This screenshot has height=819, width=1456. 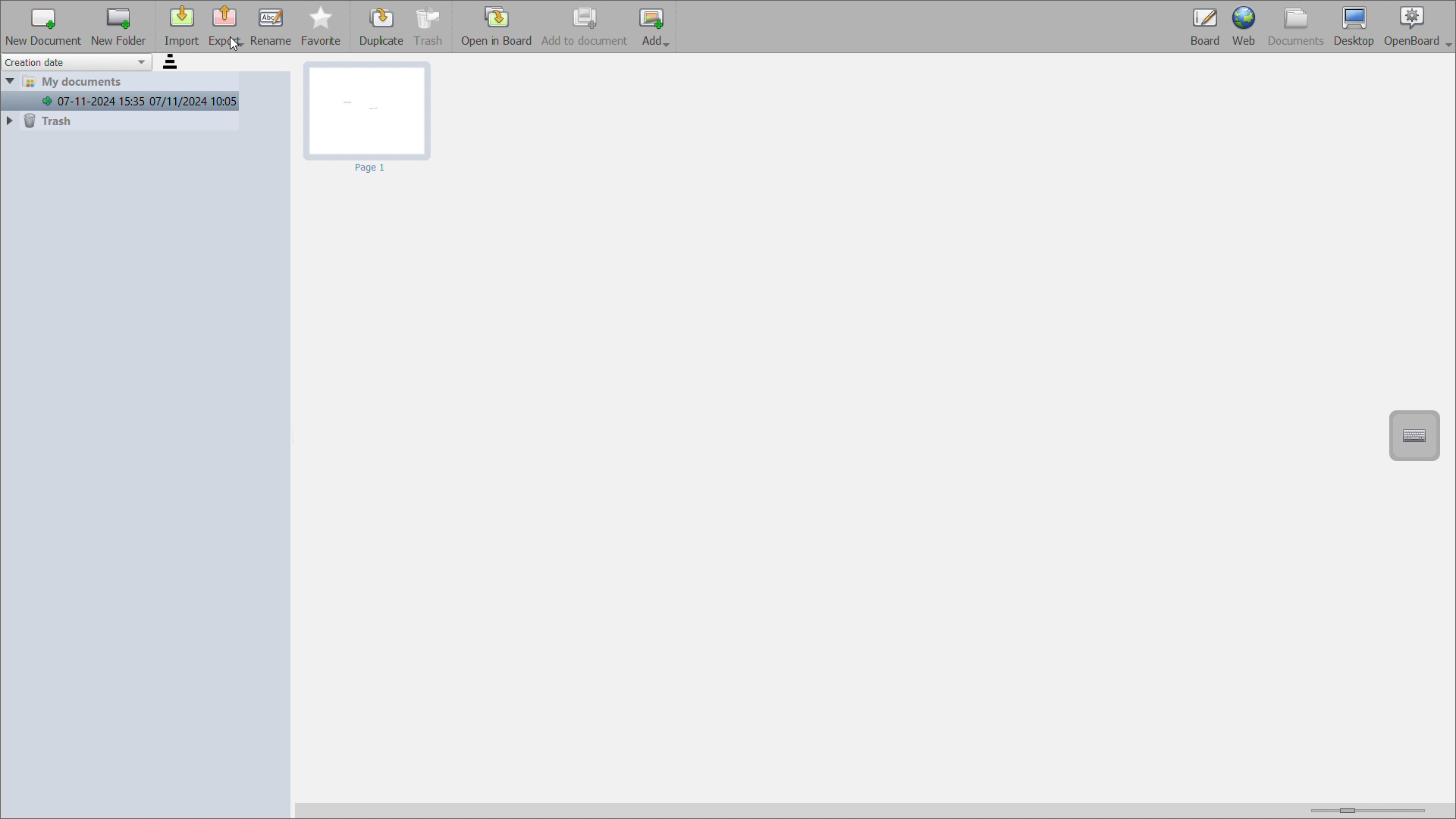 I want to click on virtual keyboard, so click(x=1414, y=435).